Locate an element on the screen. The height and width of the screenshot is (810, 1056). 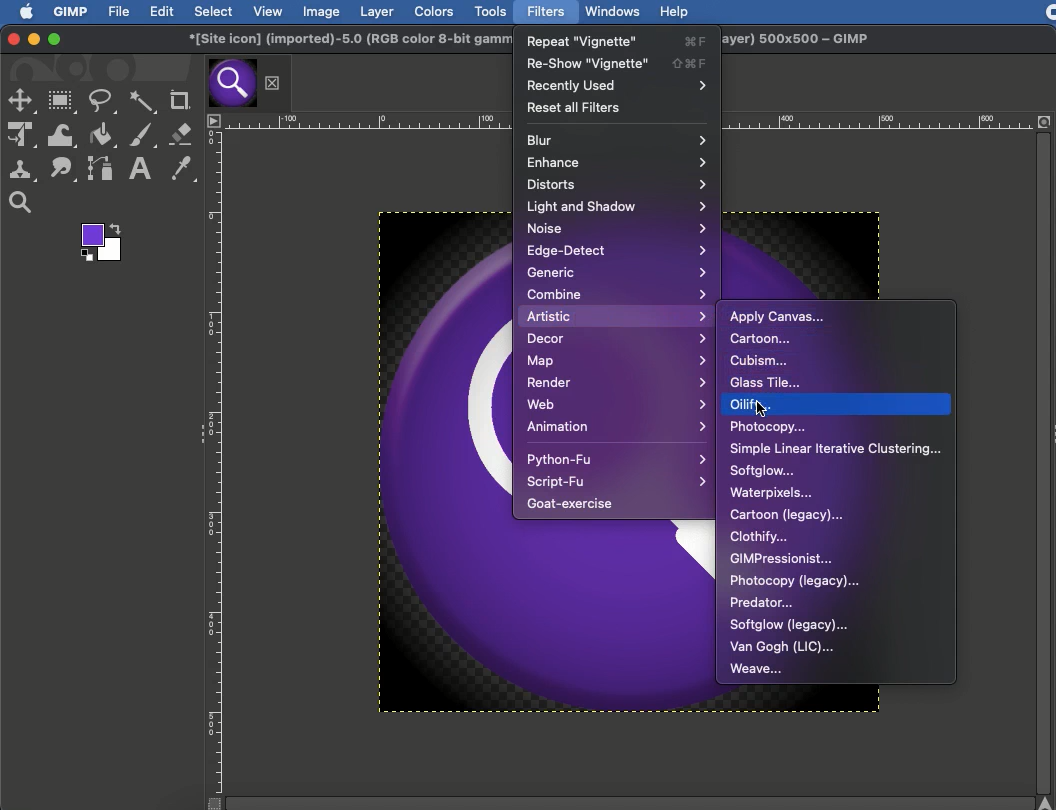
Path is located at coordinates (99, 168).